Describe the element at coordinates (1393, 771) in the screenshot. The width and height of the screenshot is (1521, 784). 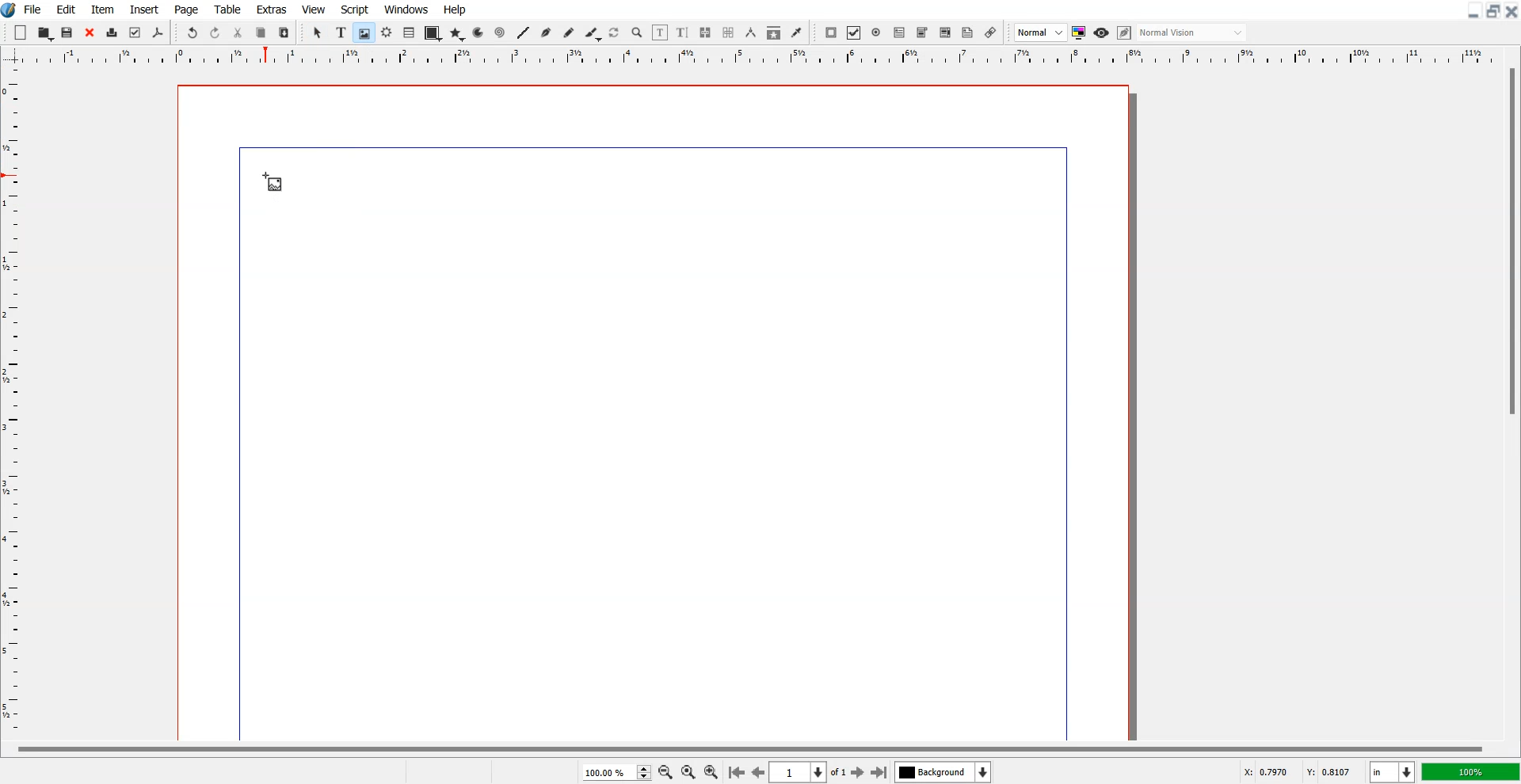
I see `Measurement in inches` at that location.